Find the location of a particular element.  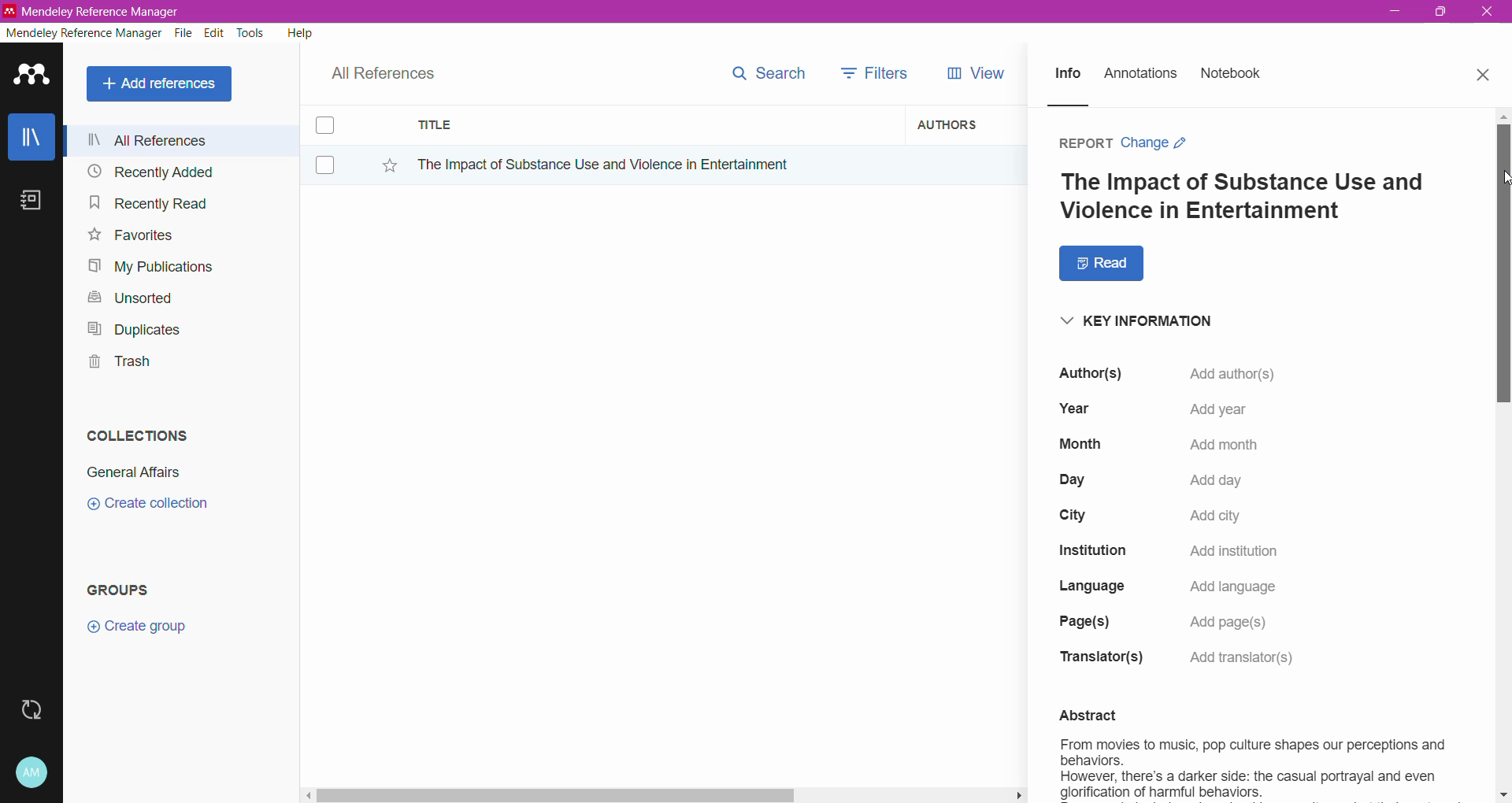

Add References is located at coordinates (162, 83).